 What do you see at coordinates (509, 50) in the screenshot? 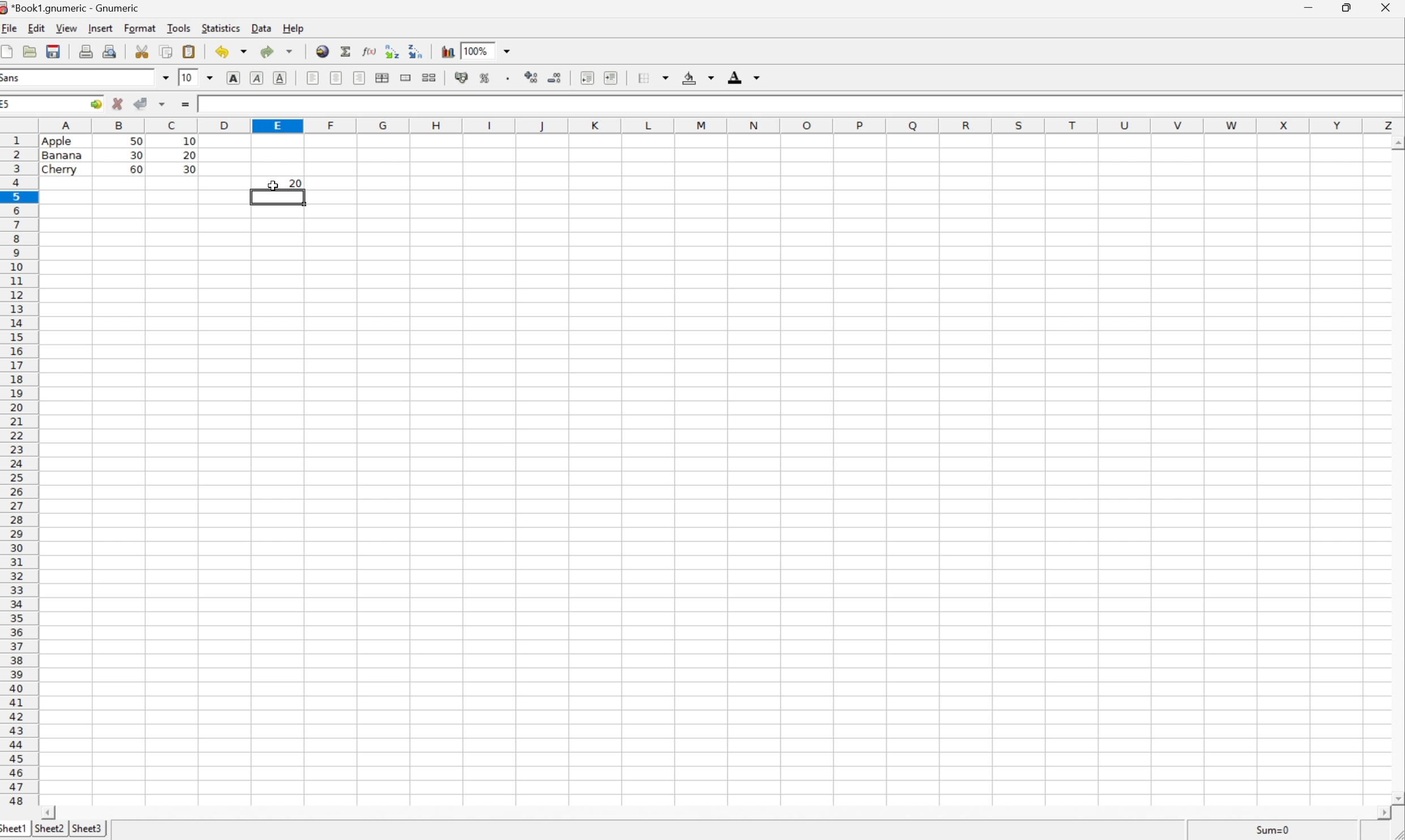
I see `Drop down` at bounding box center [509, 50].